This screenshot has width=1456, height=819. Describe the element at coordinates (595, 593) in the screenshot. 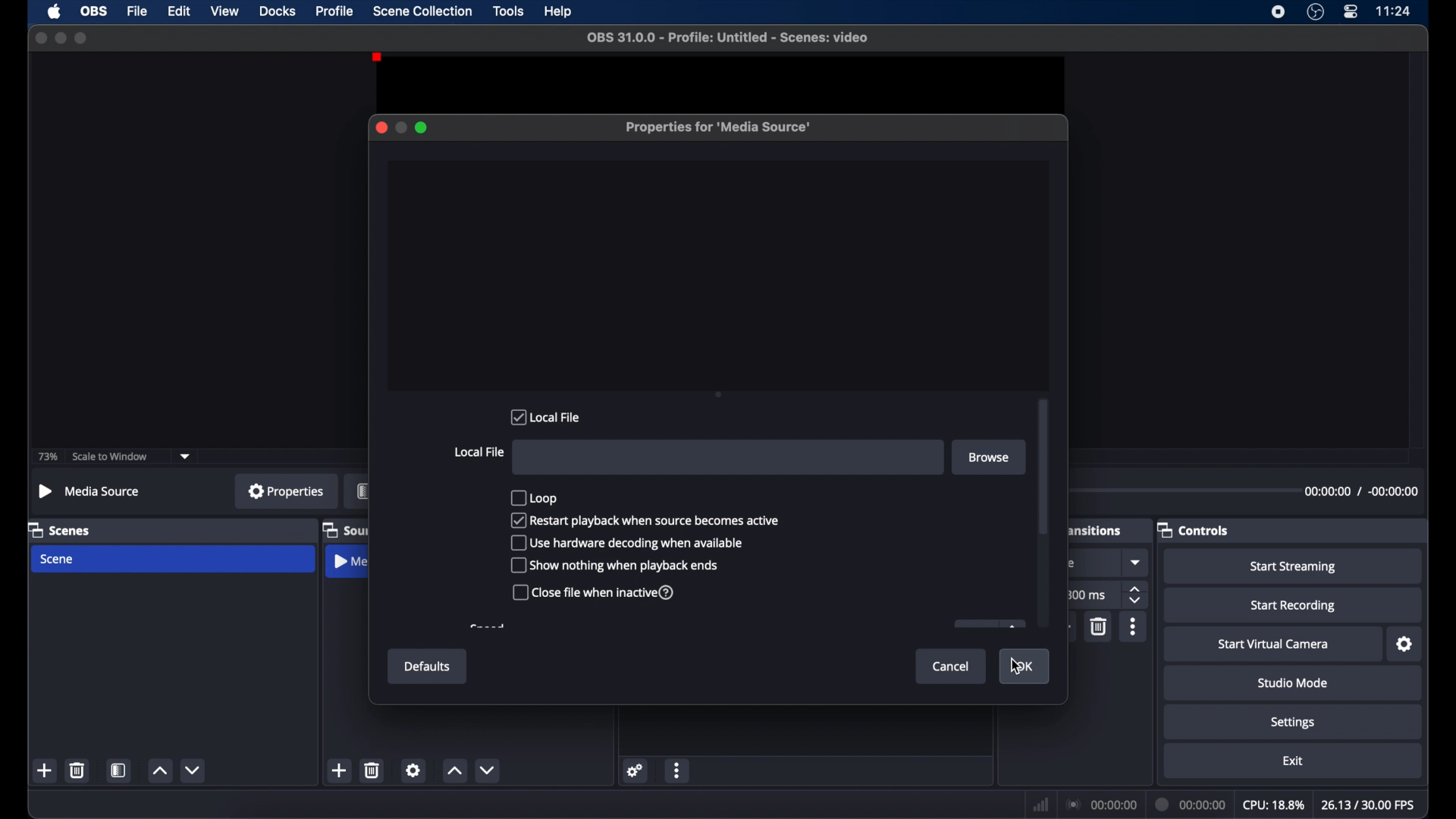

I see `close file when inactive` at that location.